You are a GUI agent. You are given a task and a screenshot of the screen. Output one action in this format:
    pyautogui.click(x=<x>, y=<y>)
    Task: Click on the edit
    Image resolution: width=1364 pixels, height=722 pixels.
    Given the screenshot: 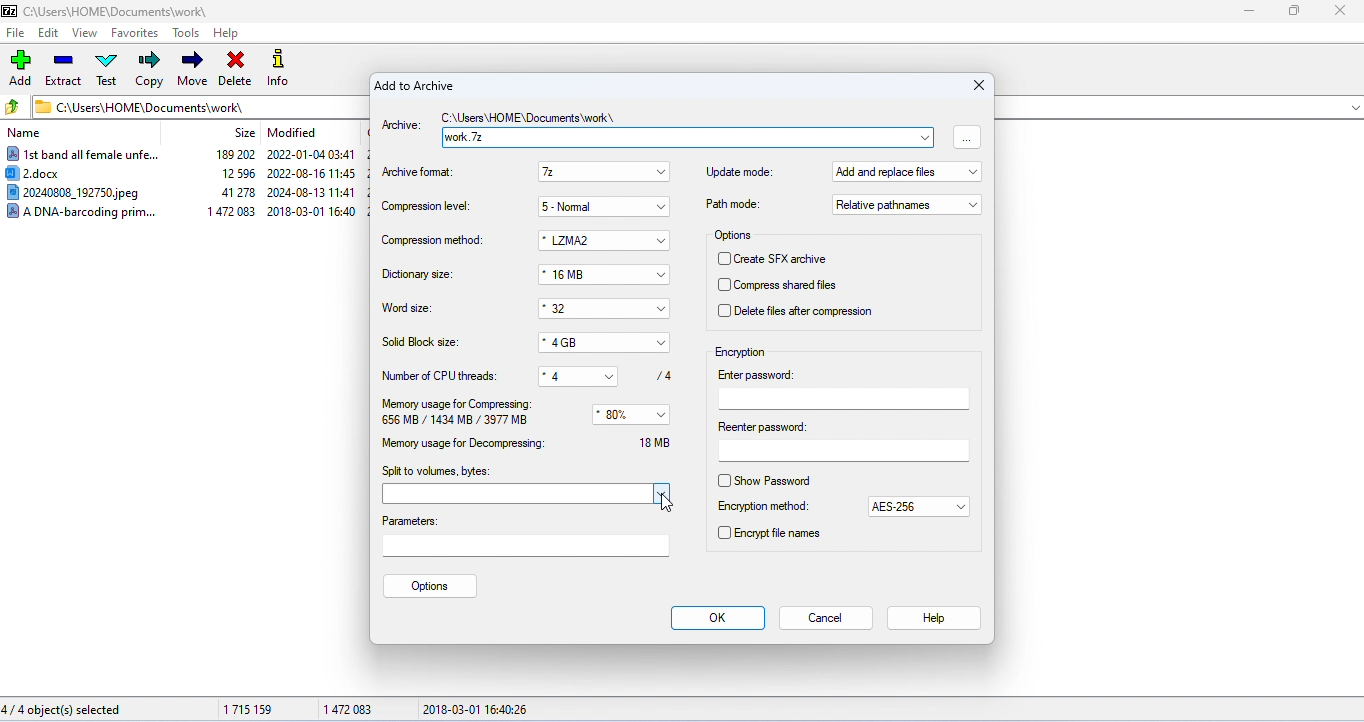 What is the action you would take?
    pyautogui.click(x=49, y=33)
    